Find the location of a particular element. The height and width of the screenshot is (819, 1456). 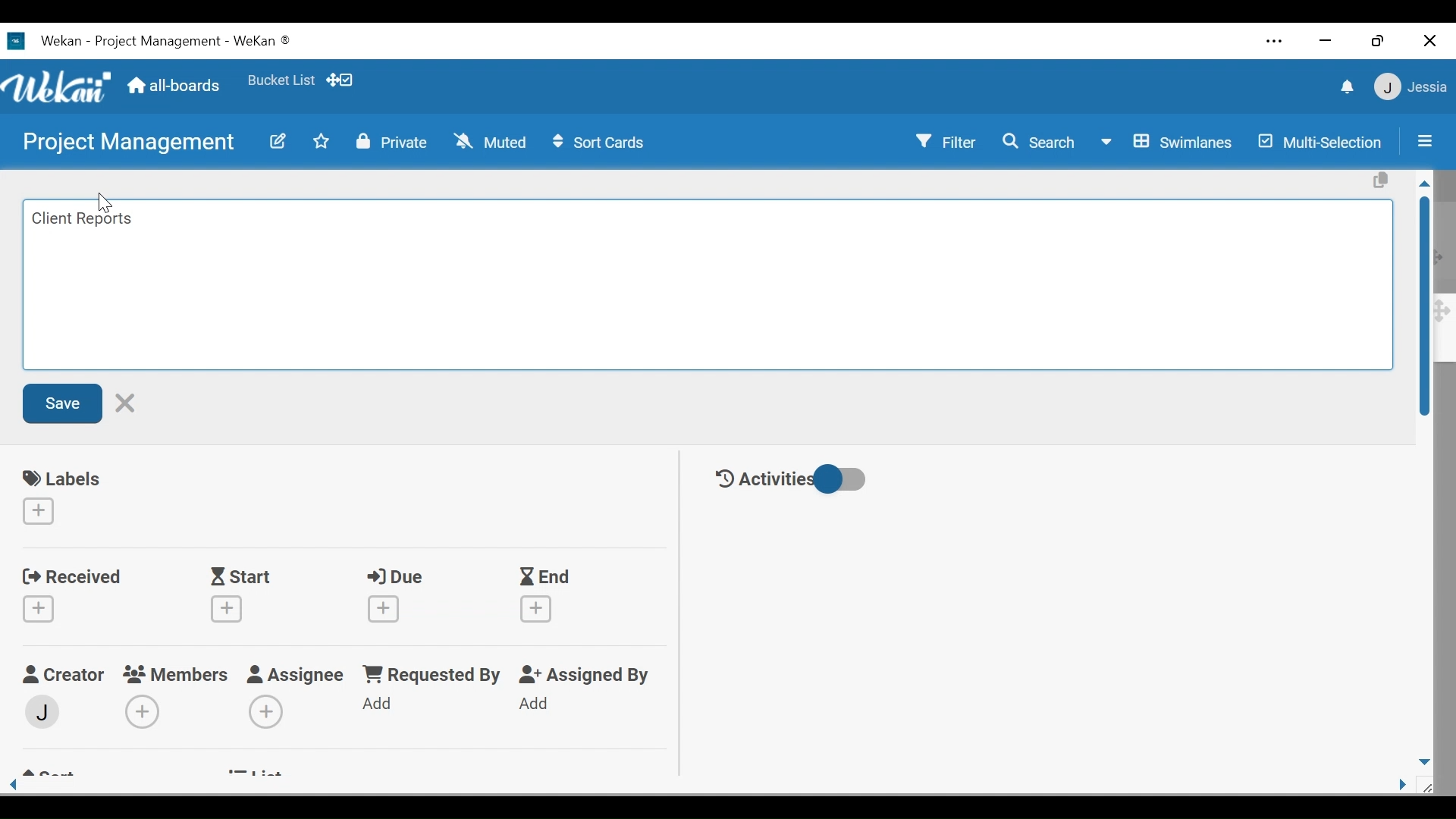

Wekan Desktop icon is located at coordinates (44, 40).